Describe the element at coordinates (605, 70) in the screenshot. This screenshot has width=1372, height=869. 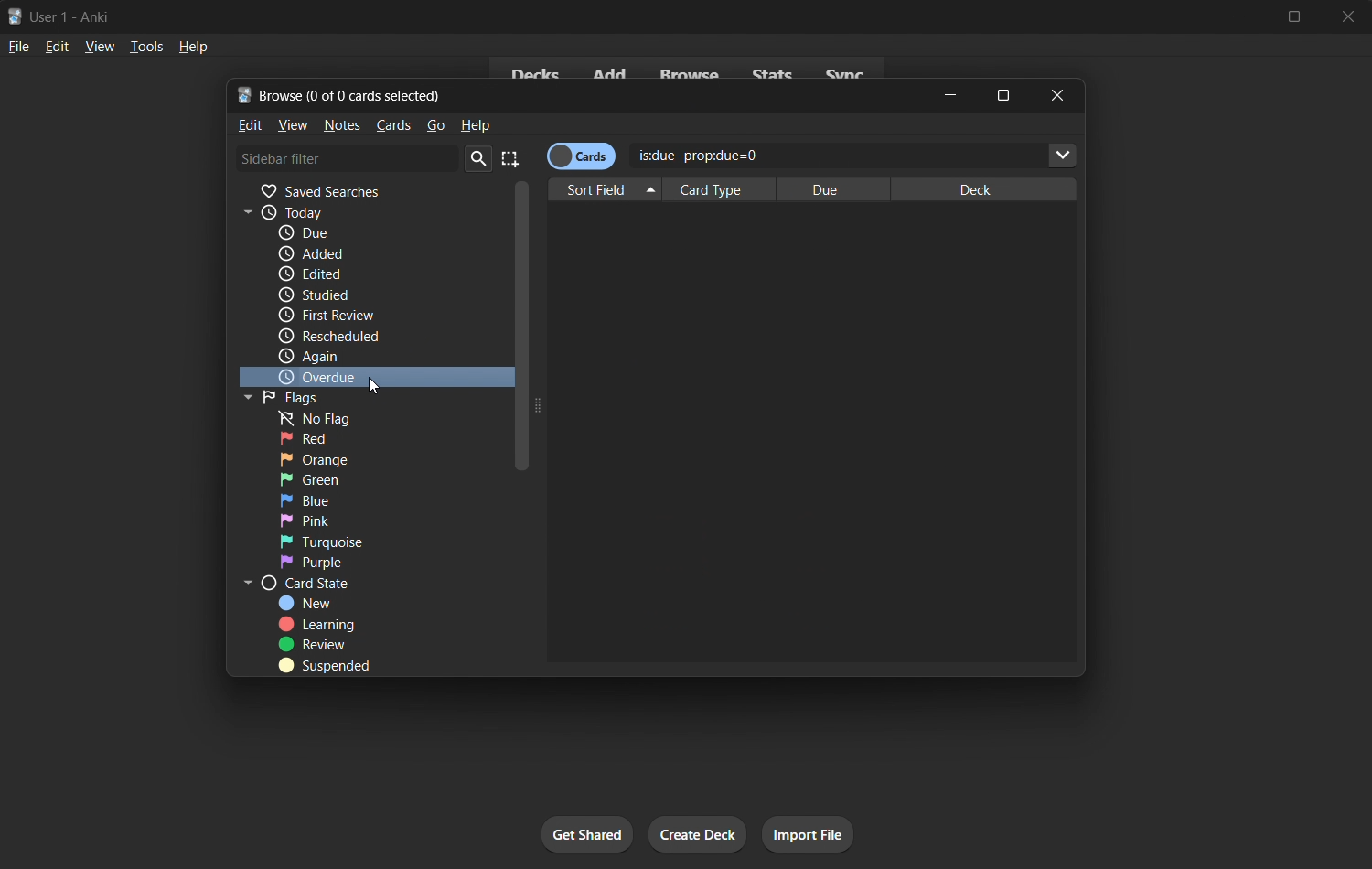
I see `` at that location.